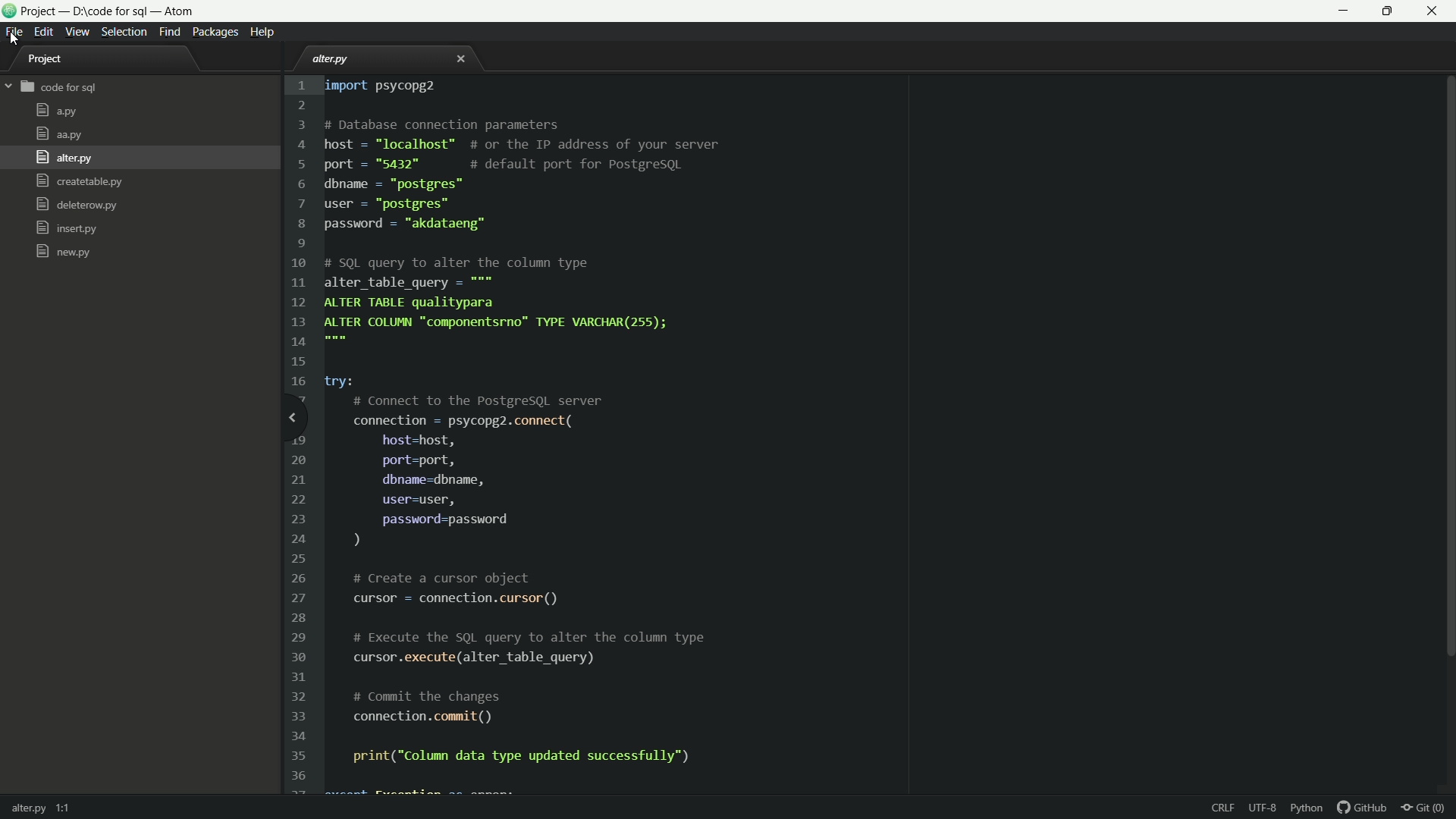  I want to click on project tree, so click(53, 61).